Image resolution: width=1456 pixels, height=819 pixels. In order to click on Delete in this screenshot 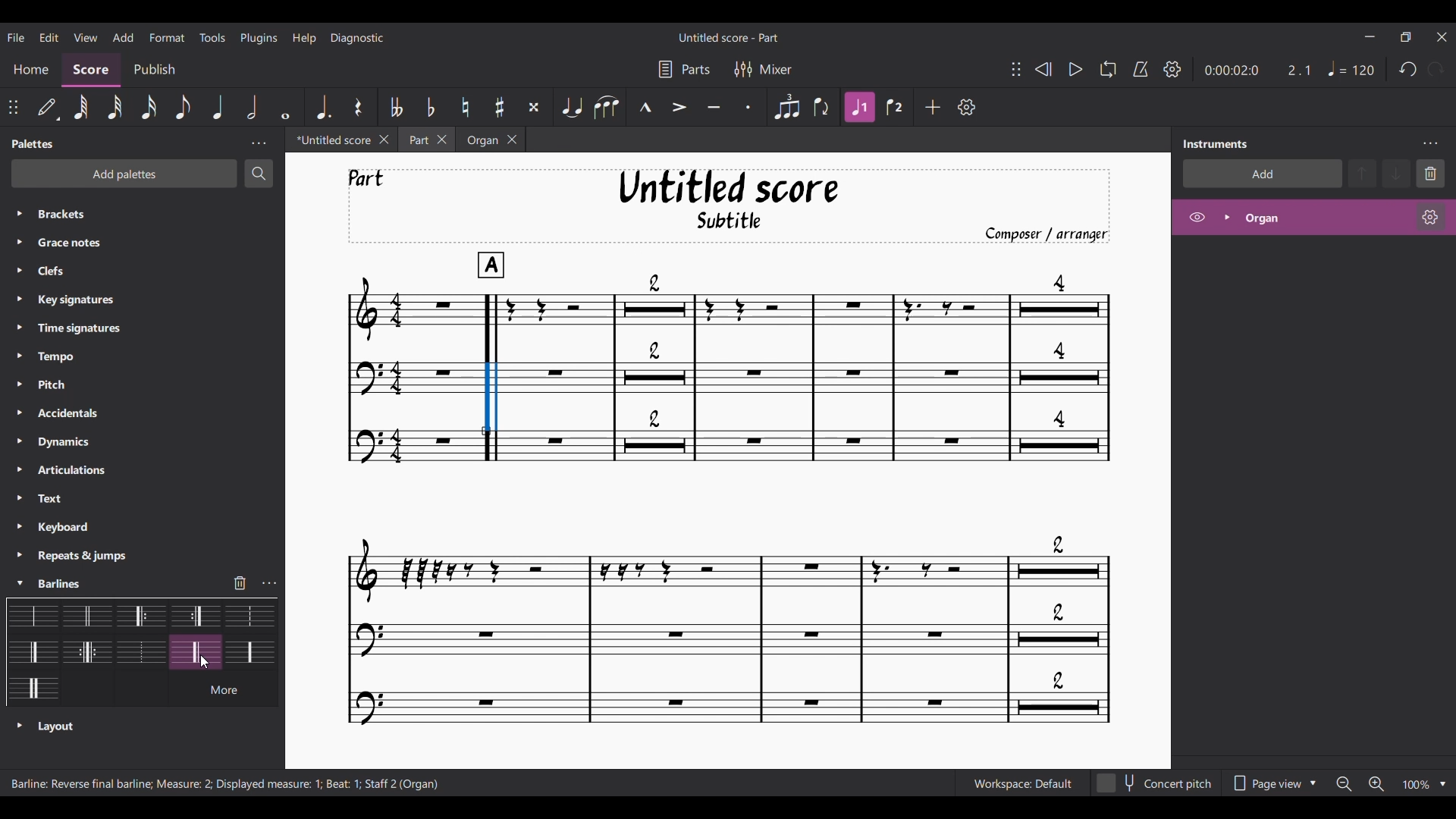, I will do `click(1431, 174)`.